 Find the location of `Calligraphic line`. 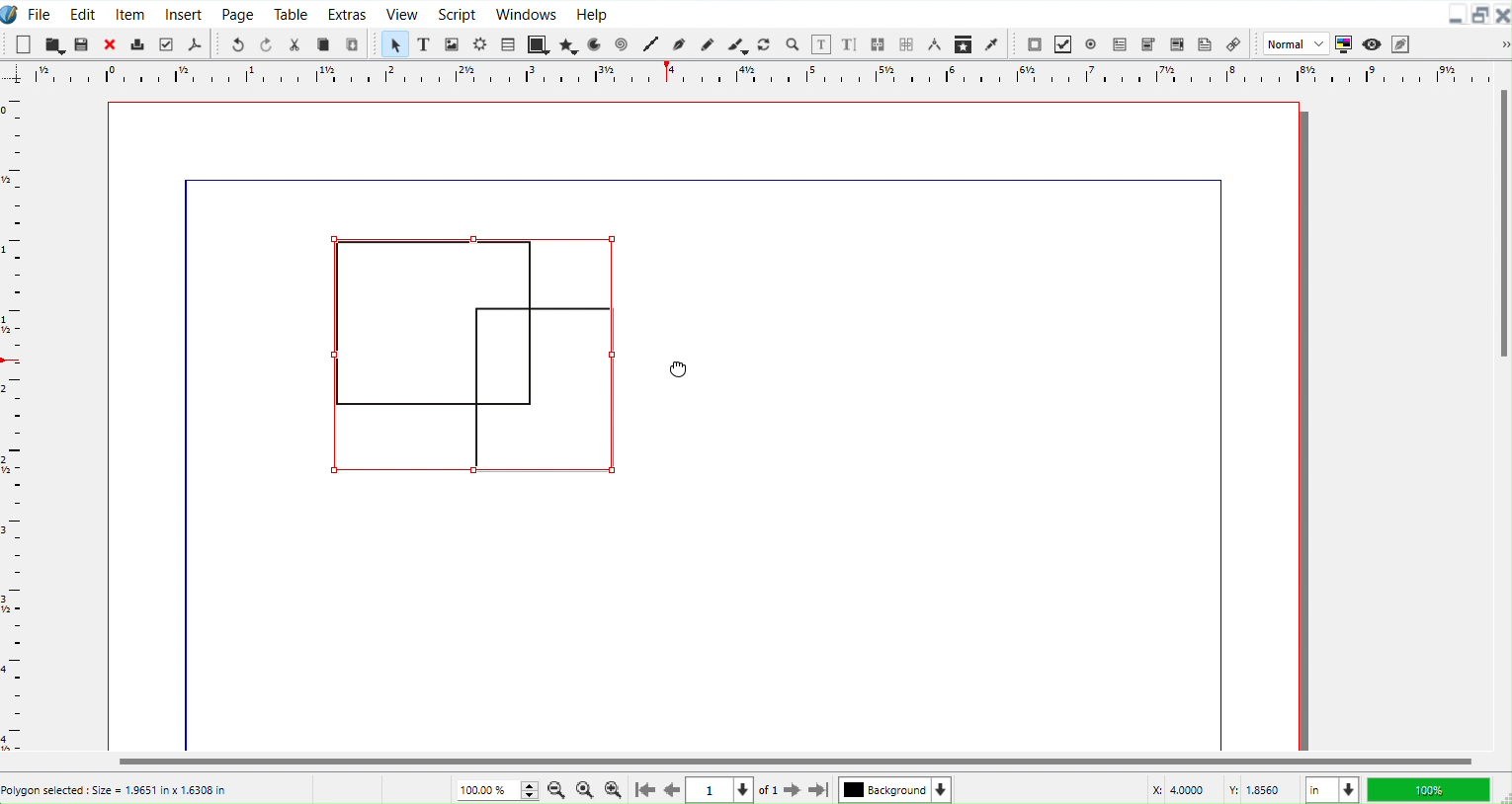

Calligraphic line is located at coordinates (737, 44).